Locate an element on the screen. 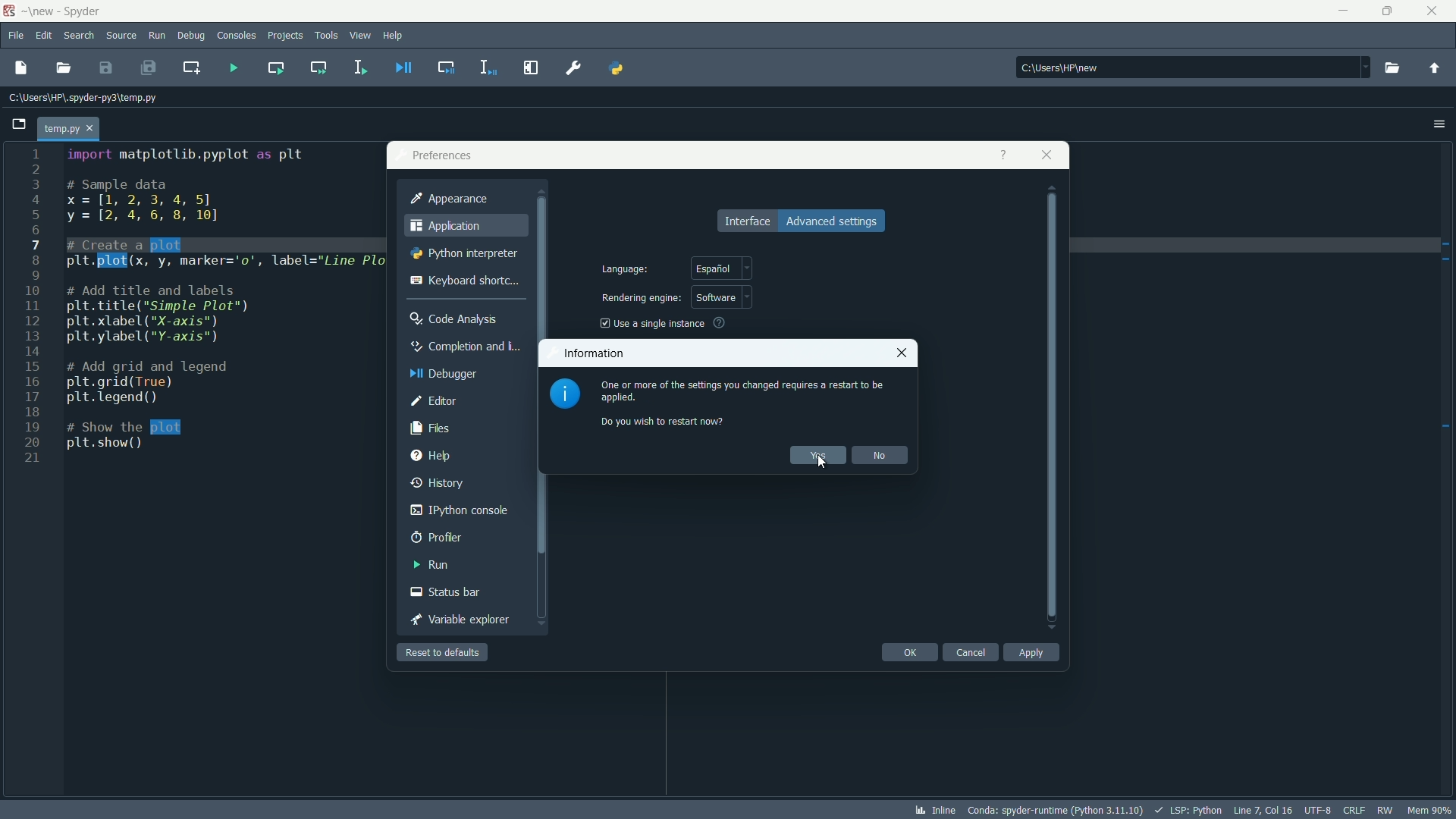 This screenshot has width=1456, height=819. projects is located at coordinates (288, 36).